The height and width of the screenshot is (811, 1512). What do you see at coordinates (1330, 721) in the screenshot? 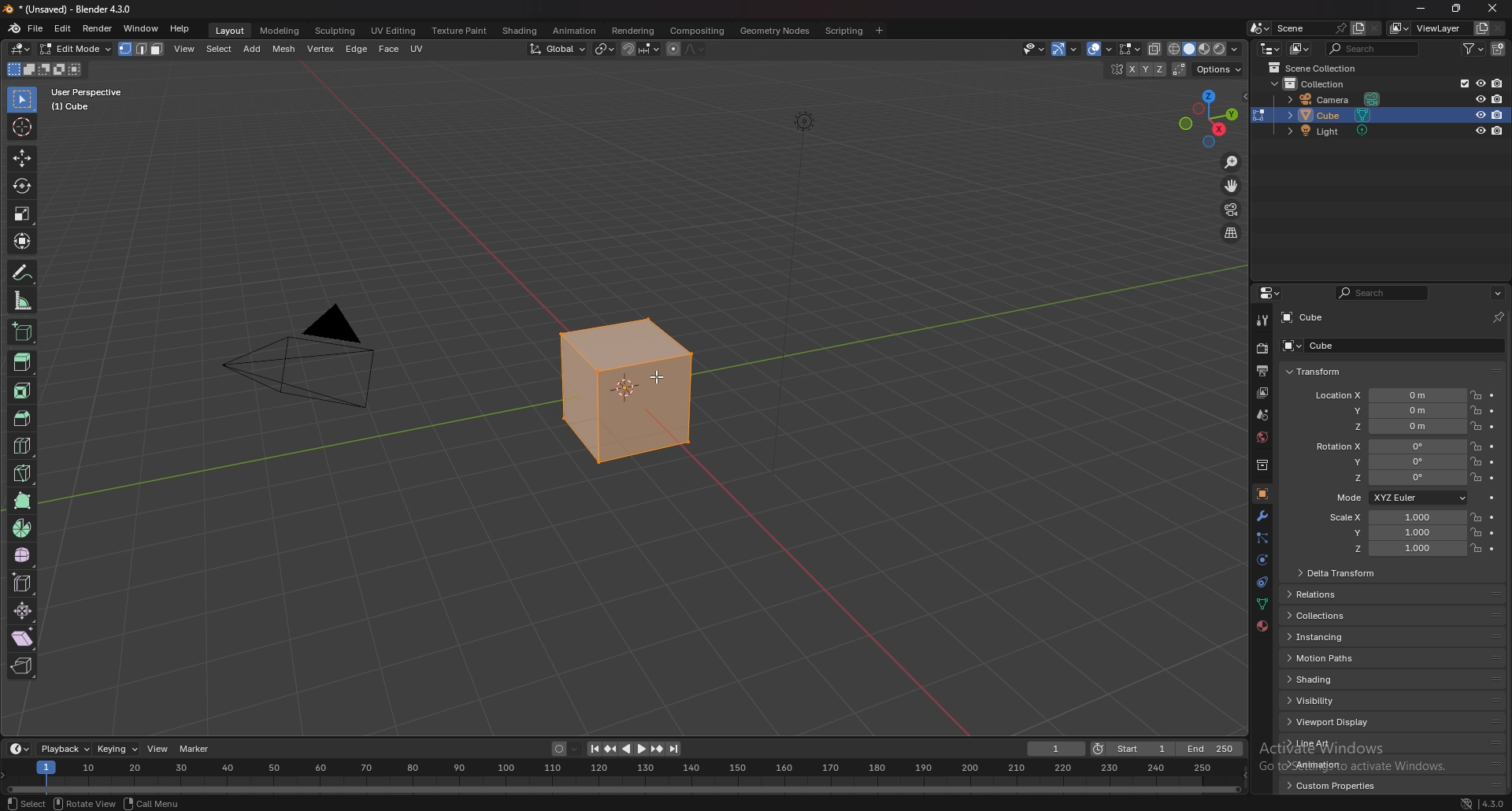
I see `viewport display` at bounding box center [1330, 721].